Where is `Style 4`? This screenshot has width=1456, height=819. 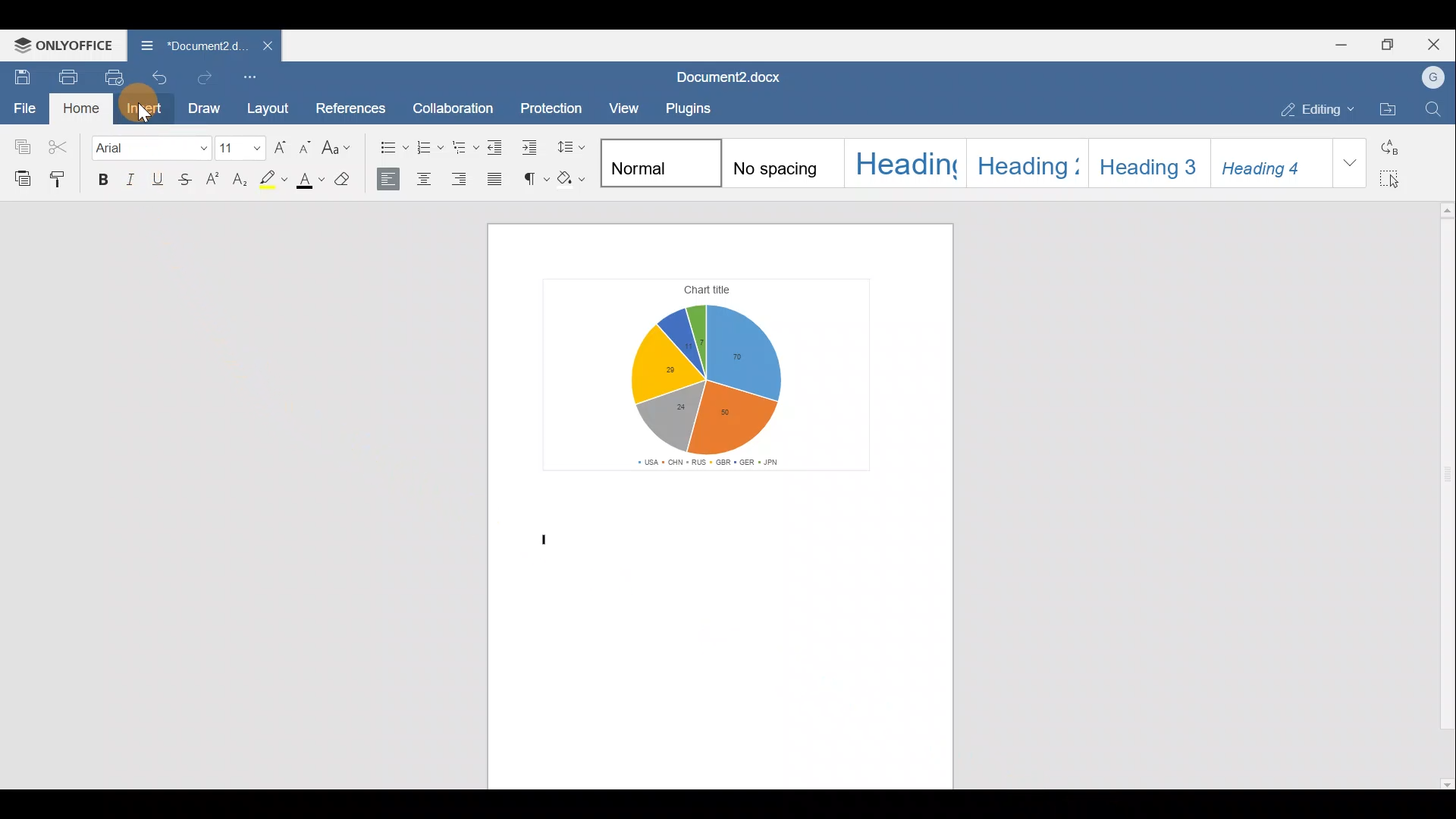
Style 4 is located at coordinates (1023, 161).